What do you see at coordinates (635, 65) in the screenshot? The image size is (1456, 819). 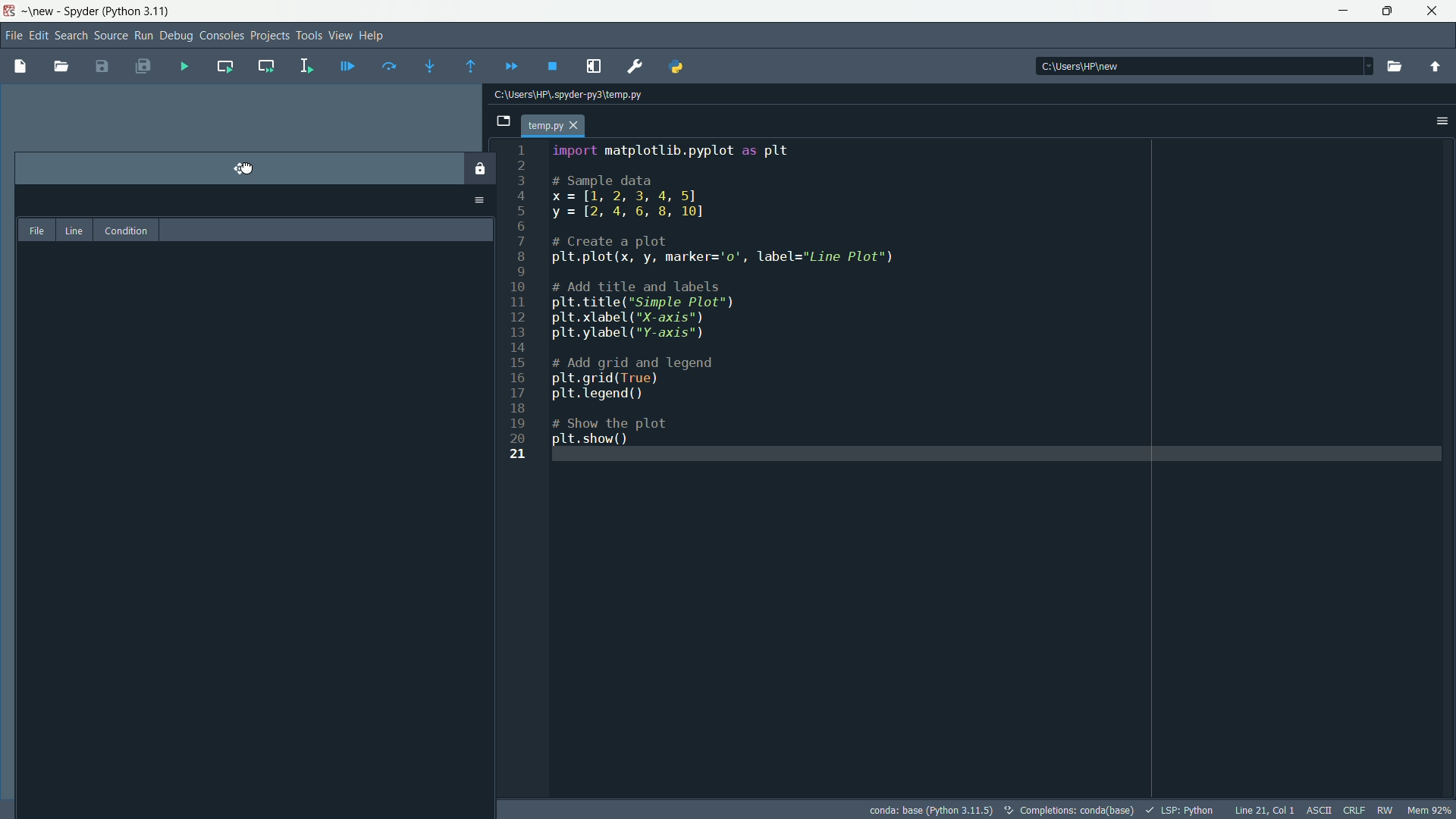 I see `preferences` at bounding box center [635, 65].